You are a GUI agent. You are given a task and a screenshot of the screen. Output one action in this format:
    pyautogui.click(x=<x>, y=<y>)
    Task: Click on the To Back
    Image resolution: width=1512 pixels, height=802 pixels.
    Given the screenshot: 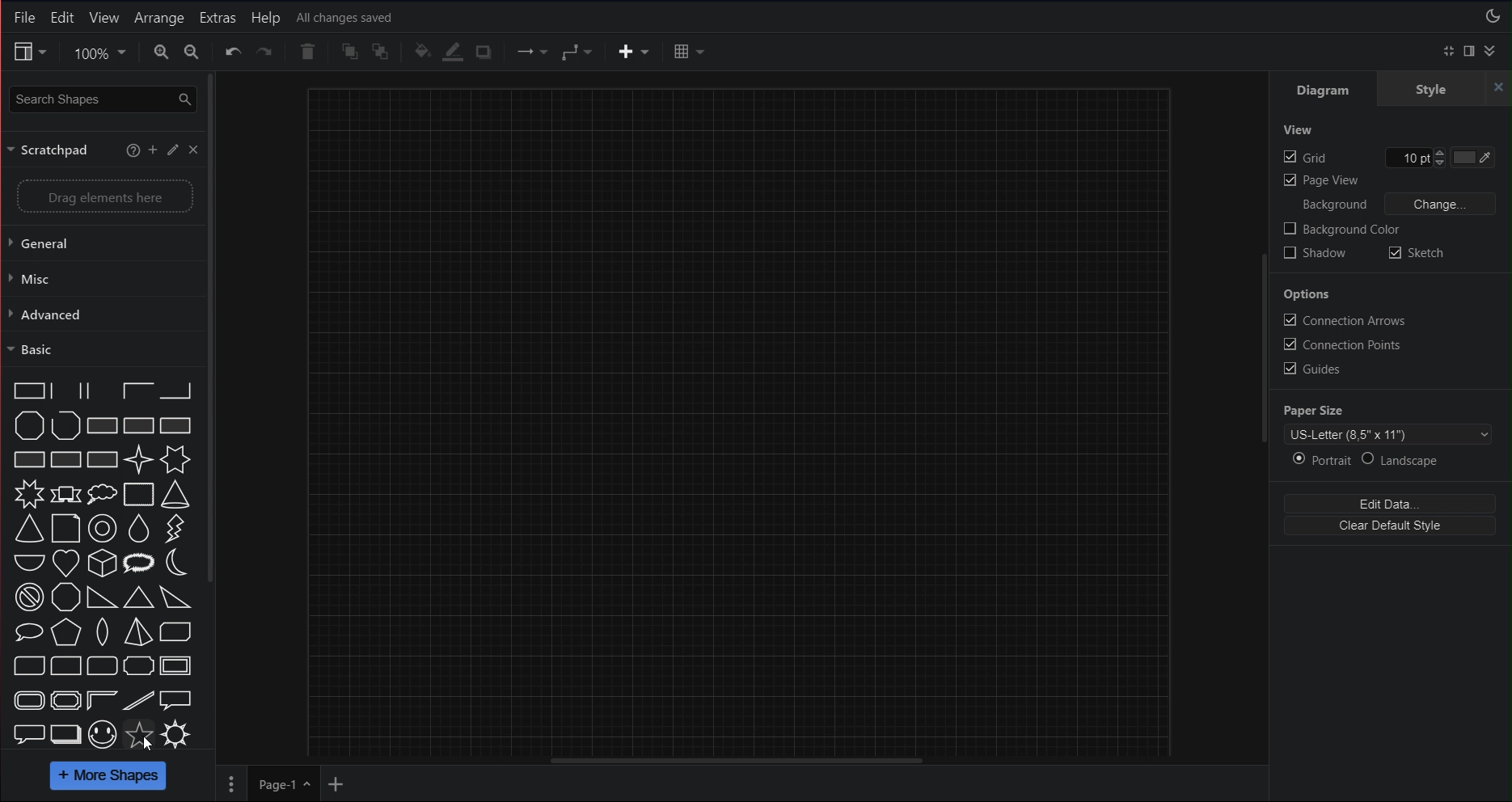 What is the action you would take?
    pyautogui.click(x=382, y=52)
    